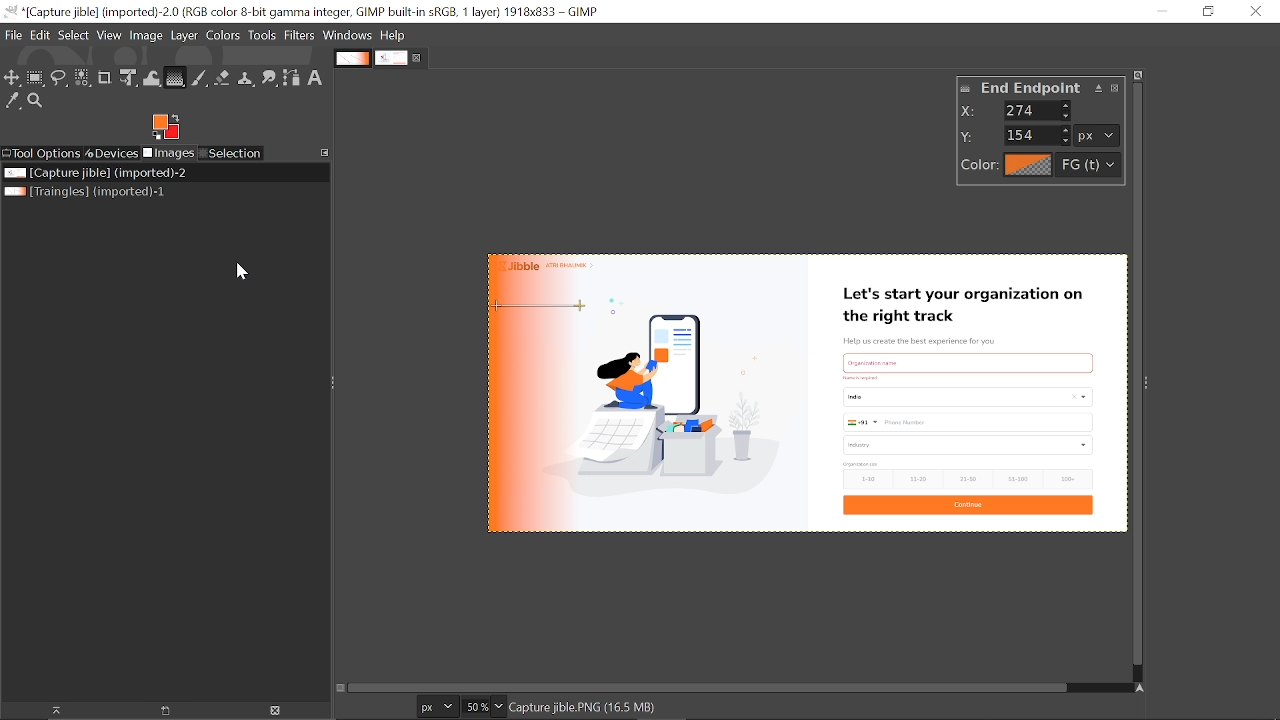 The image size is (1280, 720). What do you see at coordinates (83, 77) in the screenshot?
I see `Select by color tool` at bounding box center [83, 77].